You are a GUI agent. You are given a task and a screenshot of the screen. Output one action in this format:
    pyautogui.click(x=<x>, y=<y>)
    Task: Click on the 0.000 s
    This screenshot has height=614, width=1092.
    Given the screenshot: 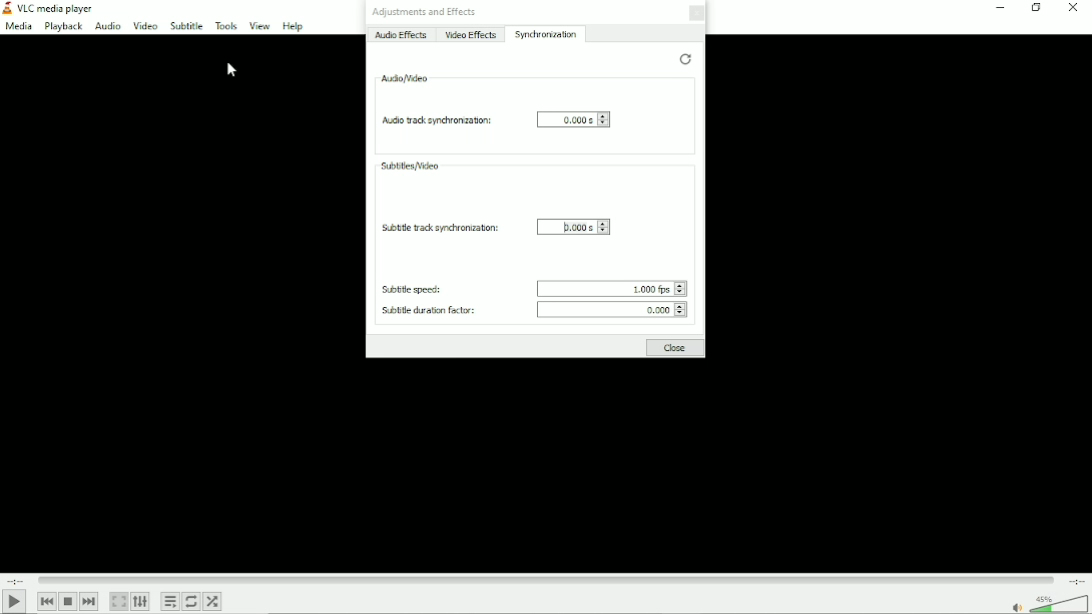 What is the action you would take?
    pyautogui.click(x=572, y=119)
    